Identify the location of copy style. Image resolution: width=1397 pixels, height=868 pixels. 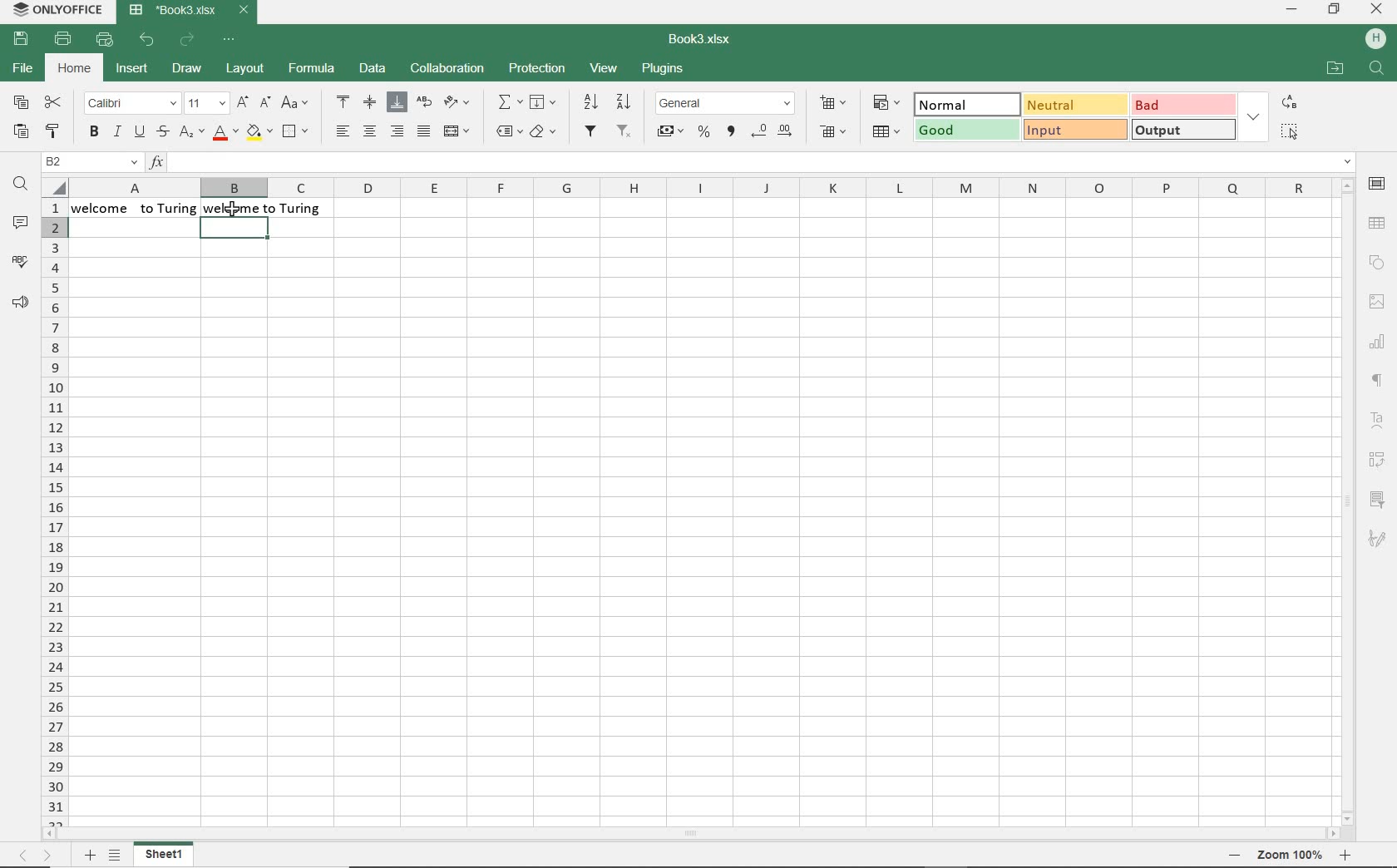
(54, 133).